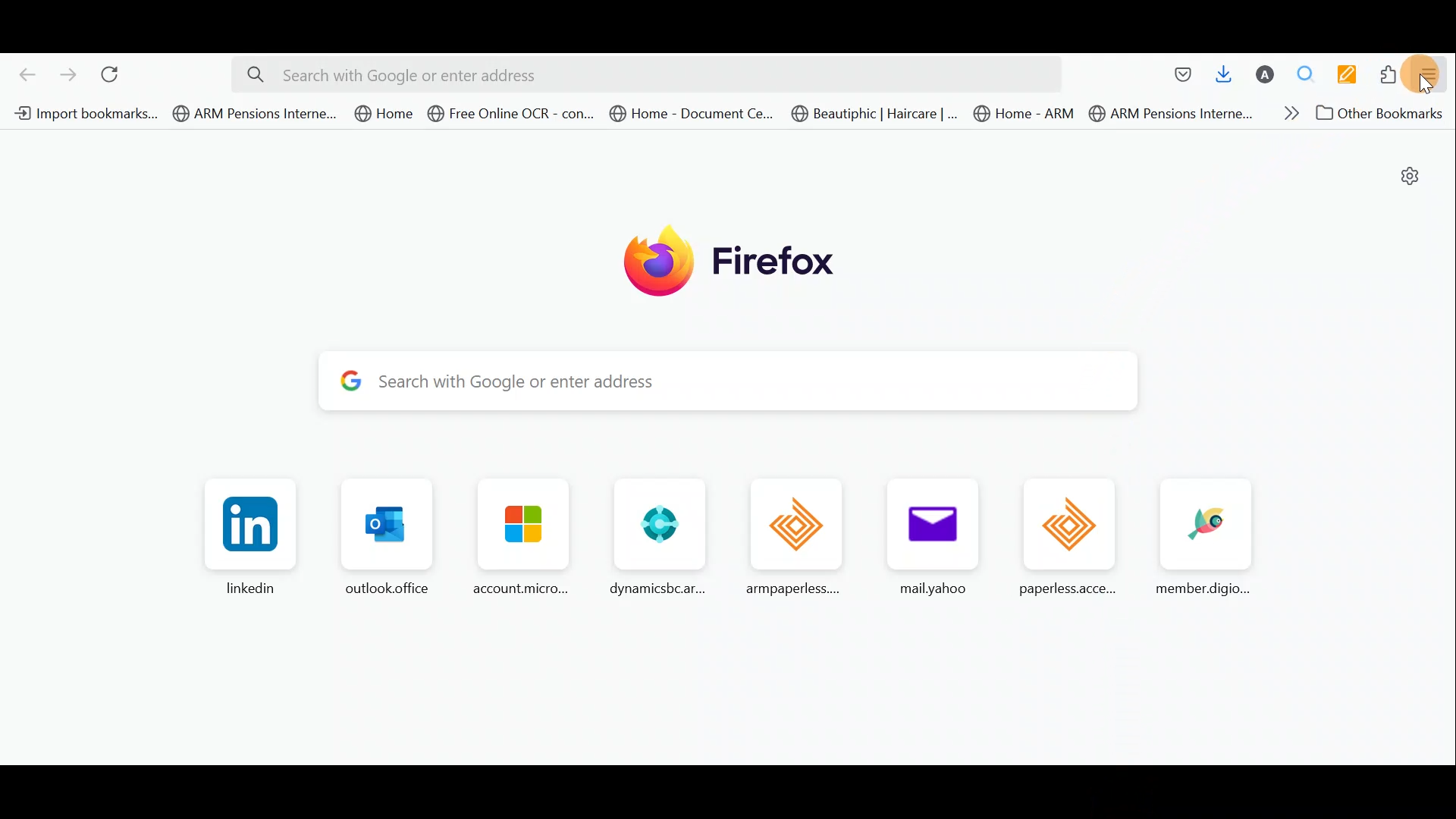 This screenshot has height=819, width=1456. I want to click on Multi keyword highlighter, so click(1352, 75).